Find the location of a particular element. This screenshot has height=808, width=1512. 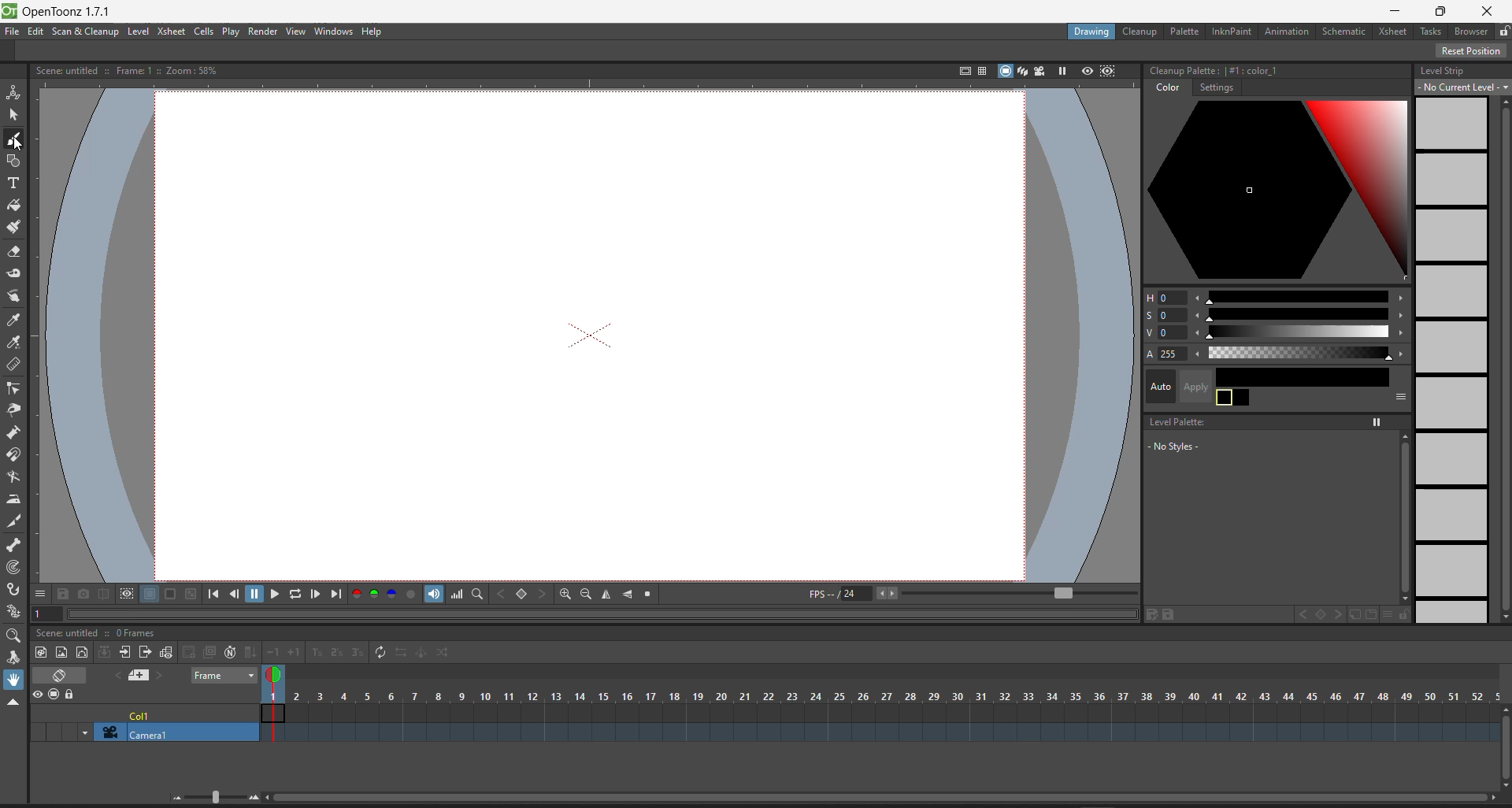

collapse toolbar is located at coordinates (15, 701).